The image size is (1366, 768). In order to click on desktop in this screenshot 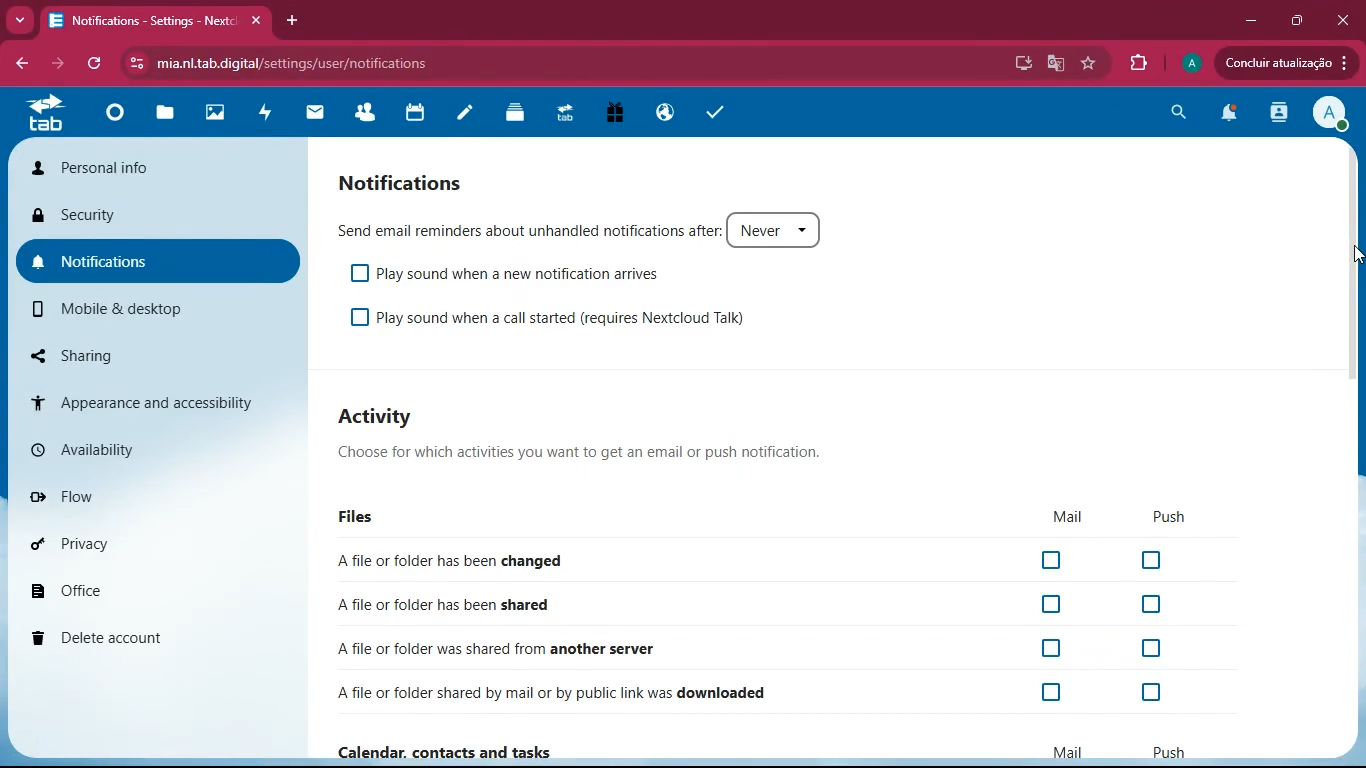, I will do `click(1020, 65)`.